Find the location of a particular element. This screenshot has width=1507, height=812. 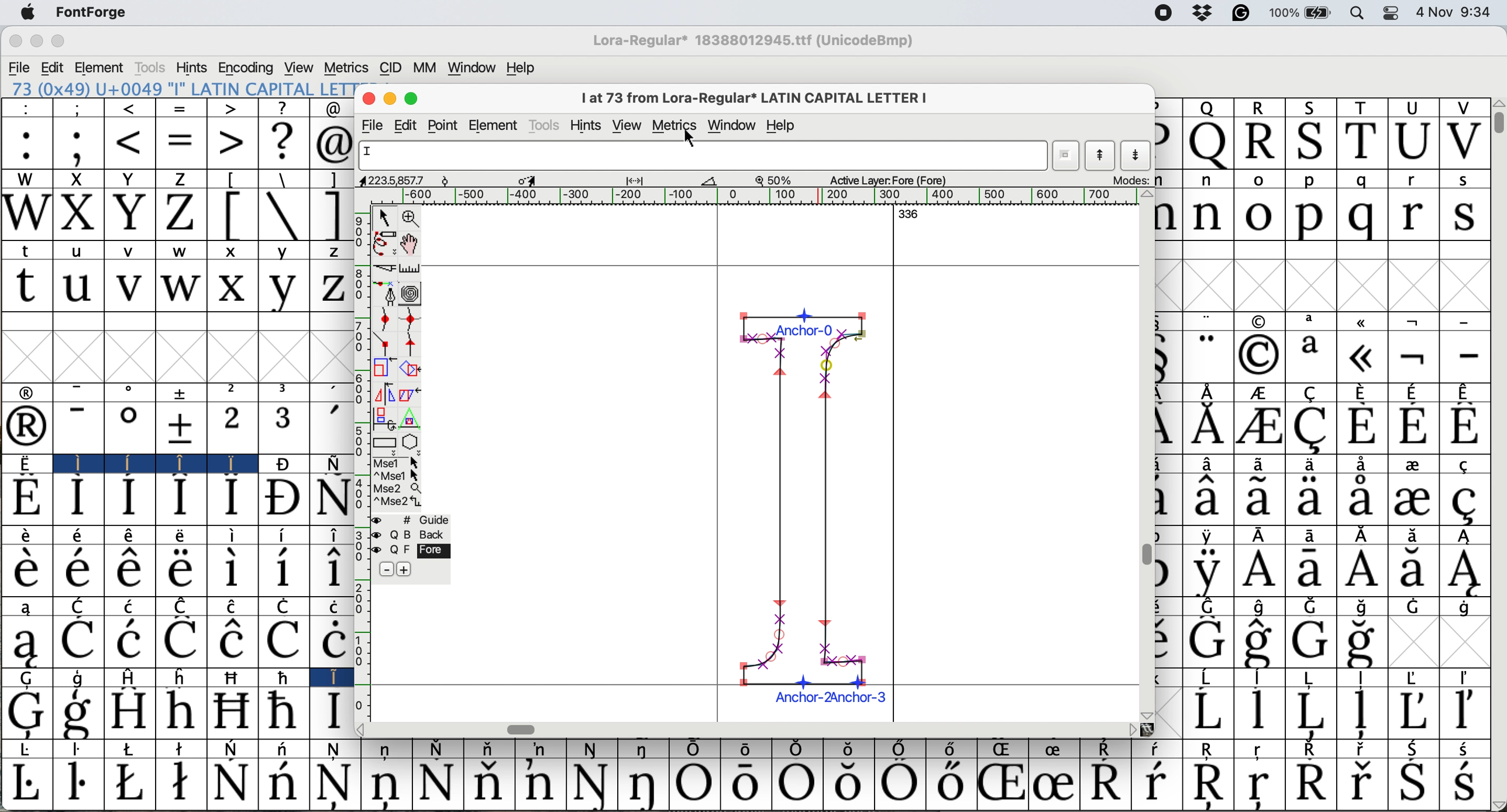

Symbol is located at coordinates (228, 465).